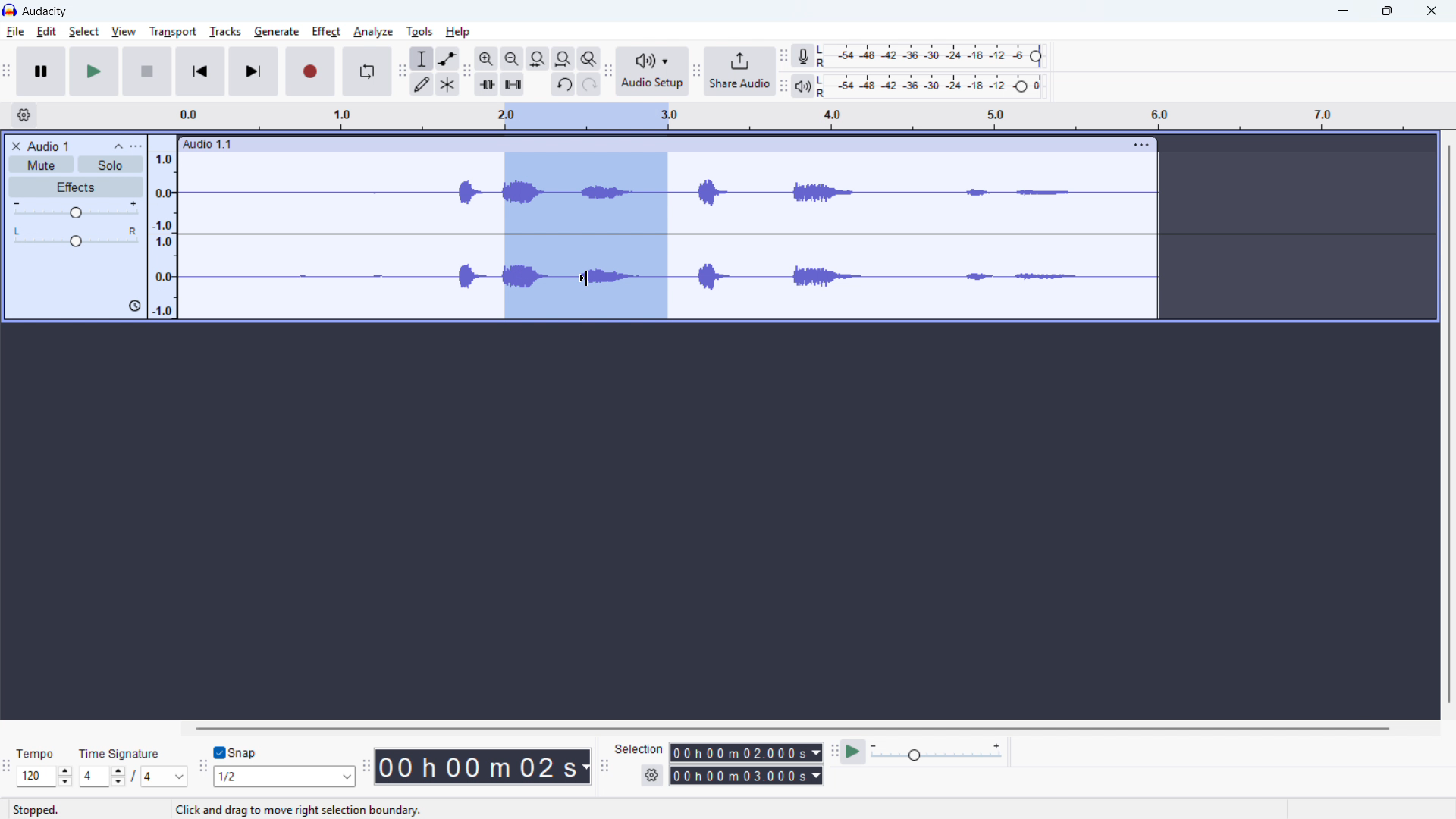 This screenshot has width=1456, height=819. What do you see at coordinates (1430, 11) in the screenshot?
I see `Close` at bounding box center [1430, 11].